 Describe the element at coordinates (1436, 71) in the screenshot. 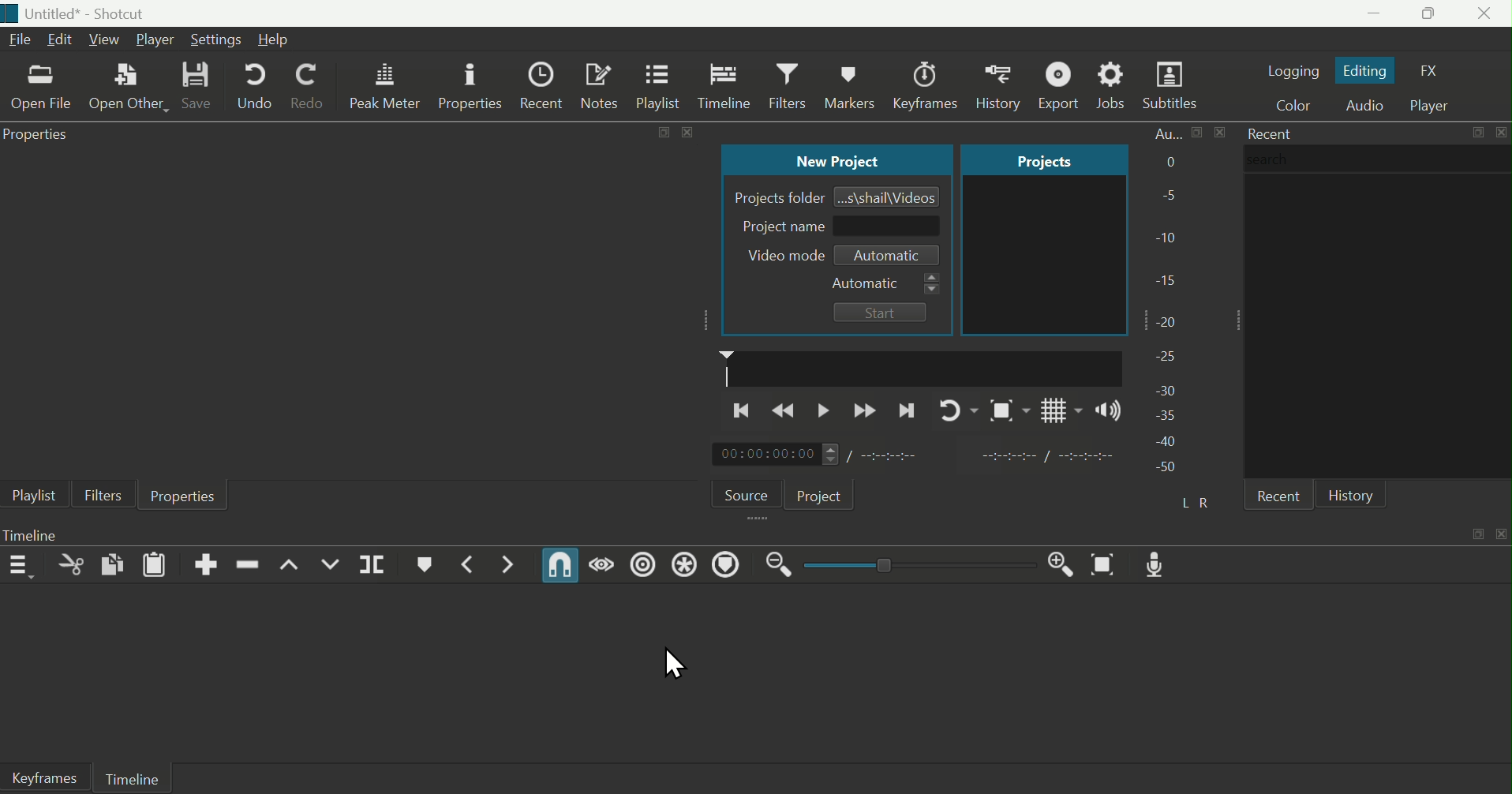

I see `FX` at that location.